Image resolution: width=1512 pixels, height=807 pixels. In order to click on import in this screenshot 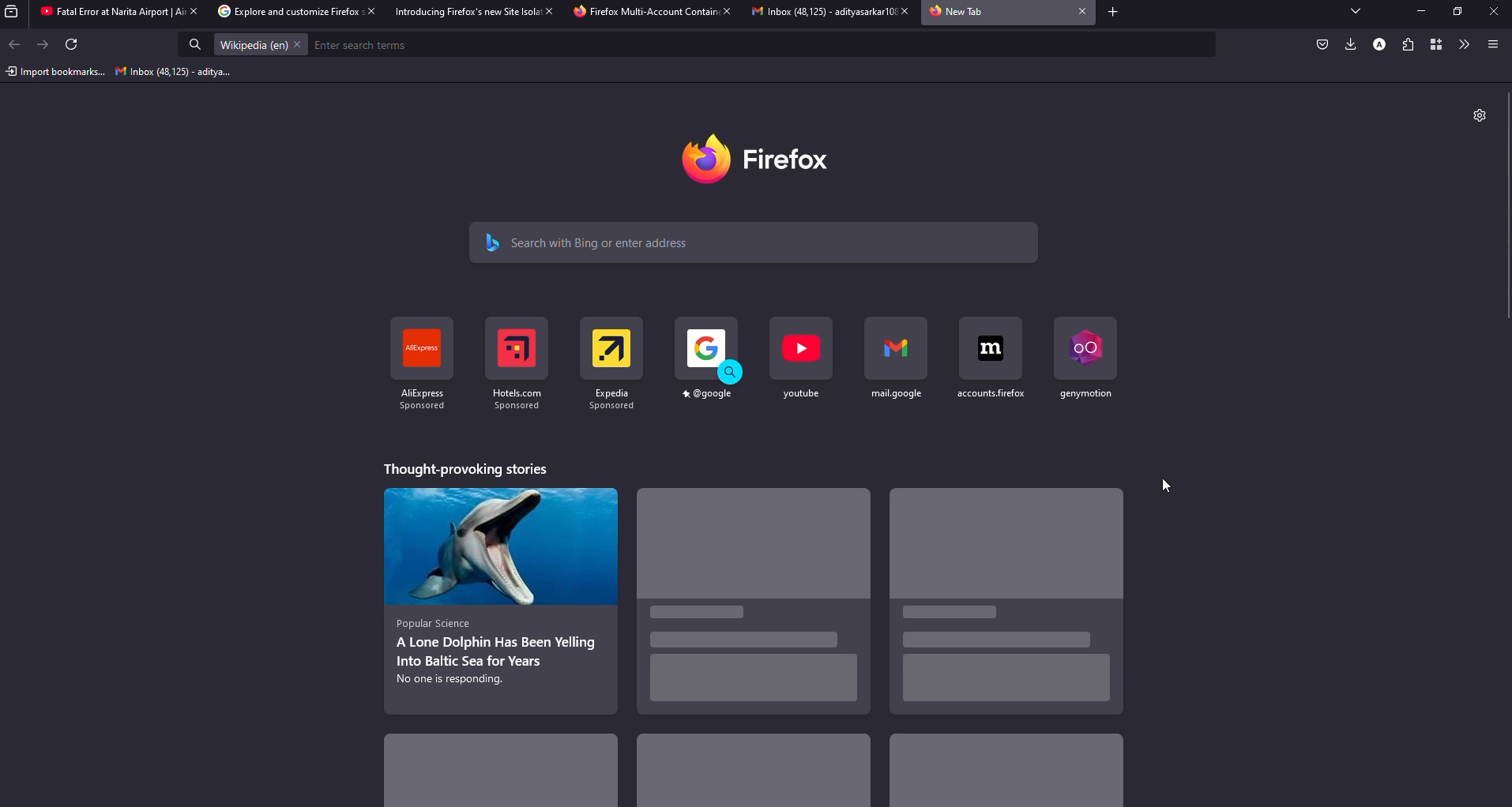, I will do `click(55, 72)`.